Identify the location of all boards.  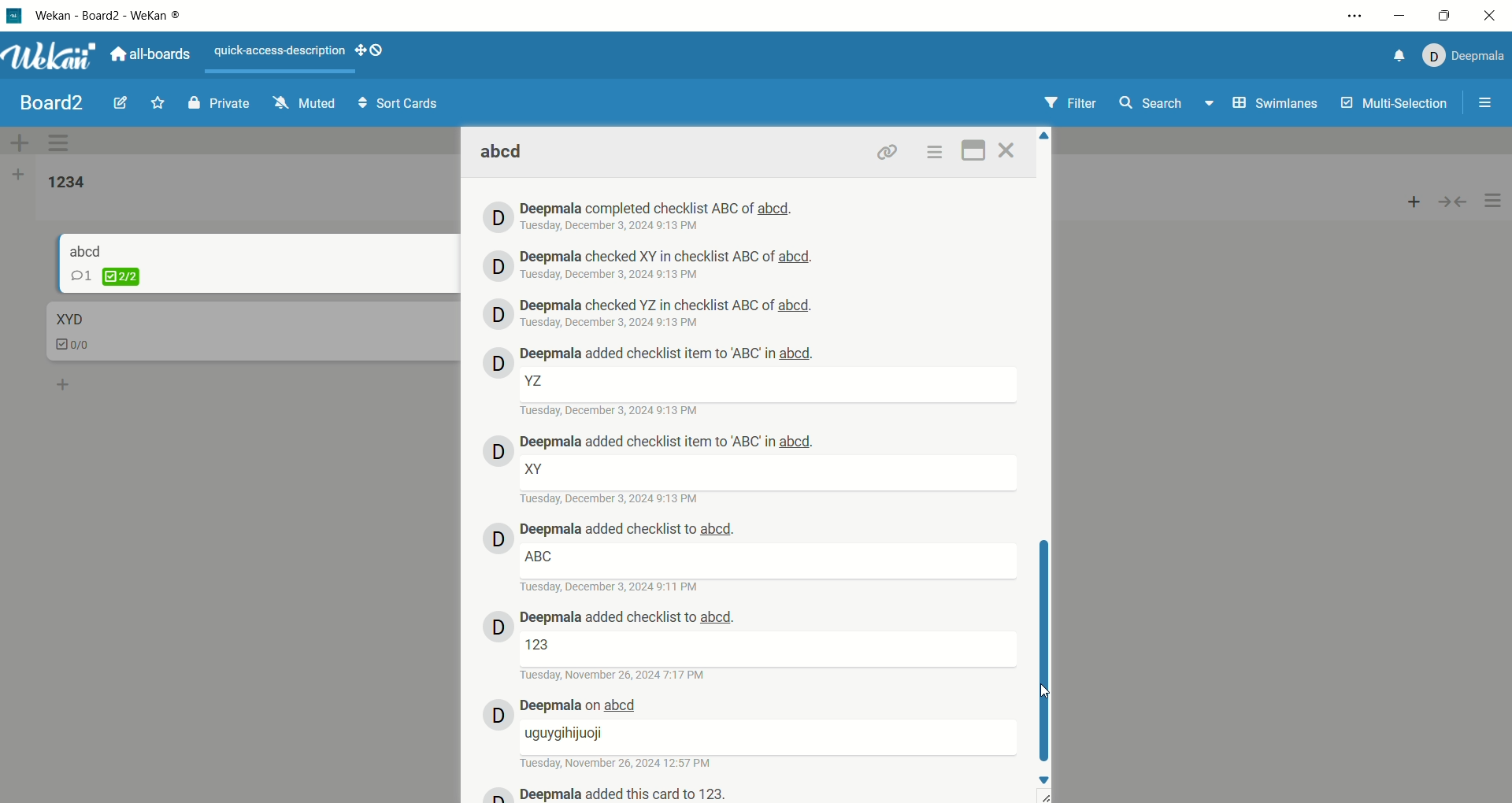
(150, 53).